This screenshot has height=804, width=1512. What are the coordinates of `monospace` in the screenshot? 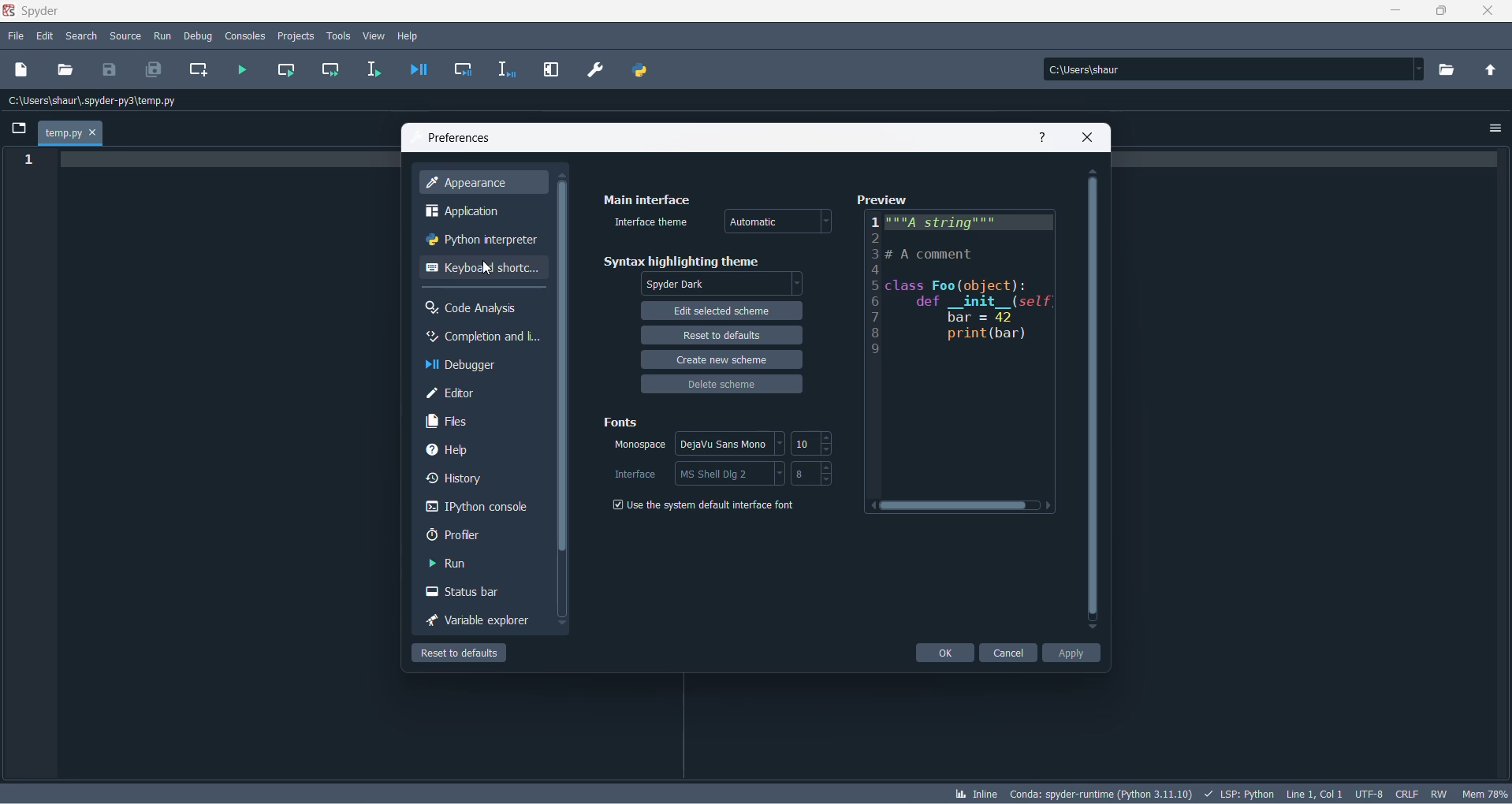 It's located at (635, 448).